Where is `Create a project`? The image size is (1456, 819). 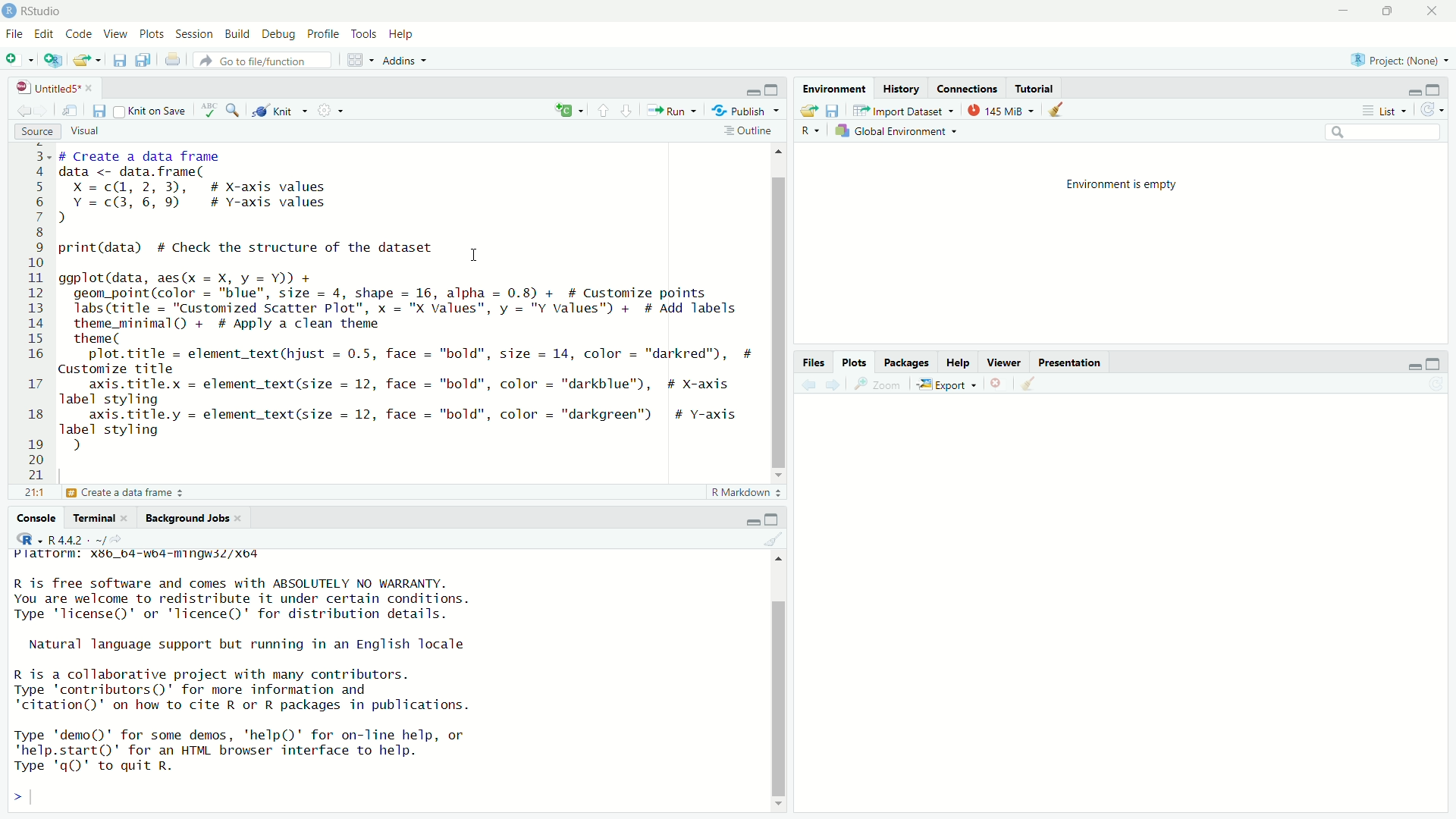 Create a project is located at coordinates (55, 60).